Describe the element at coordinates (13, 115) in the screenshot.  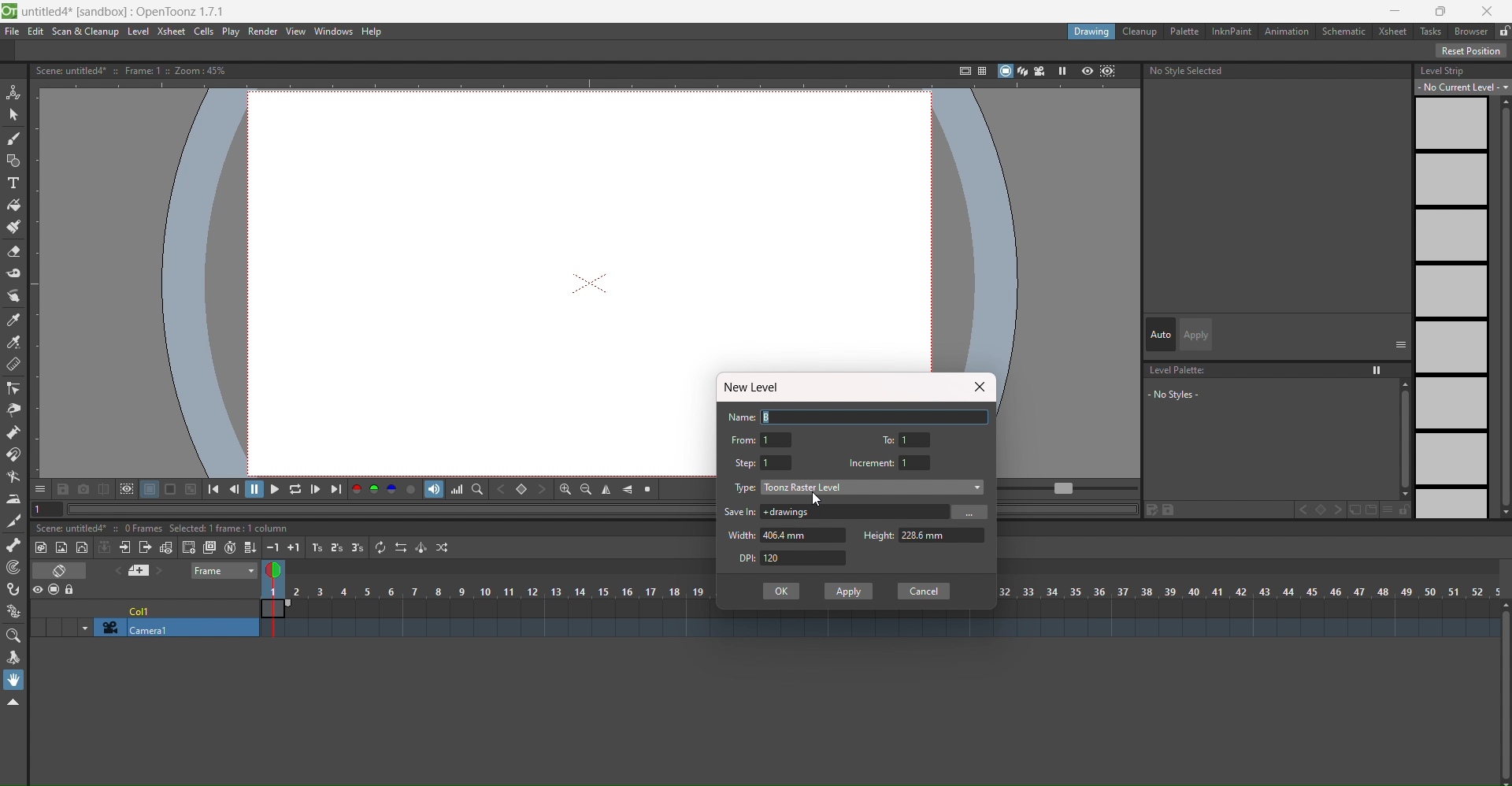
I see `selection tool ` at that location.